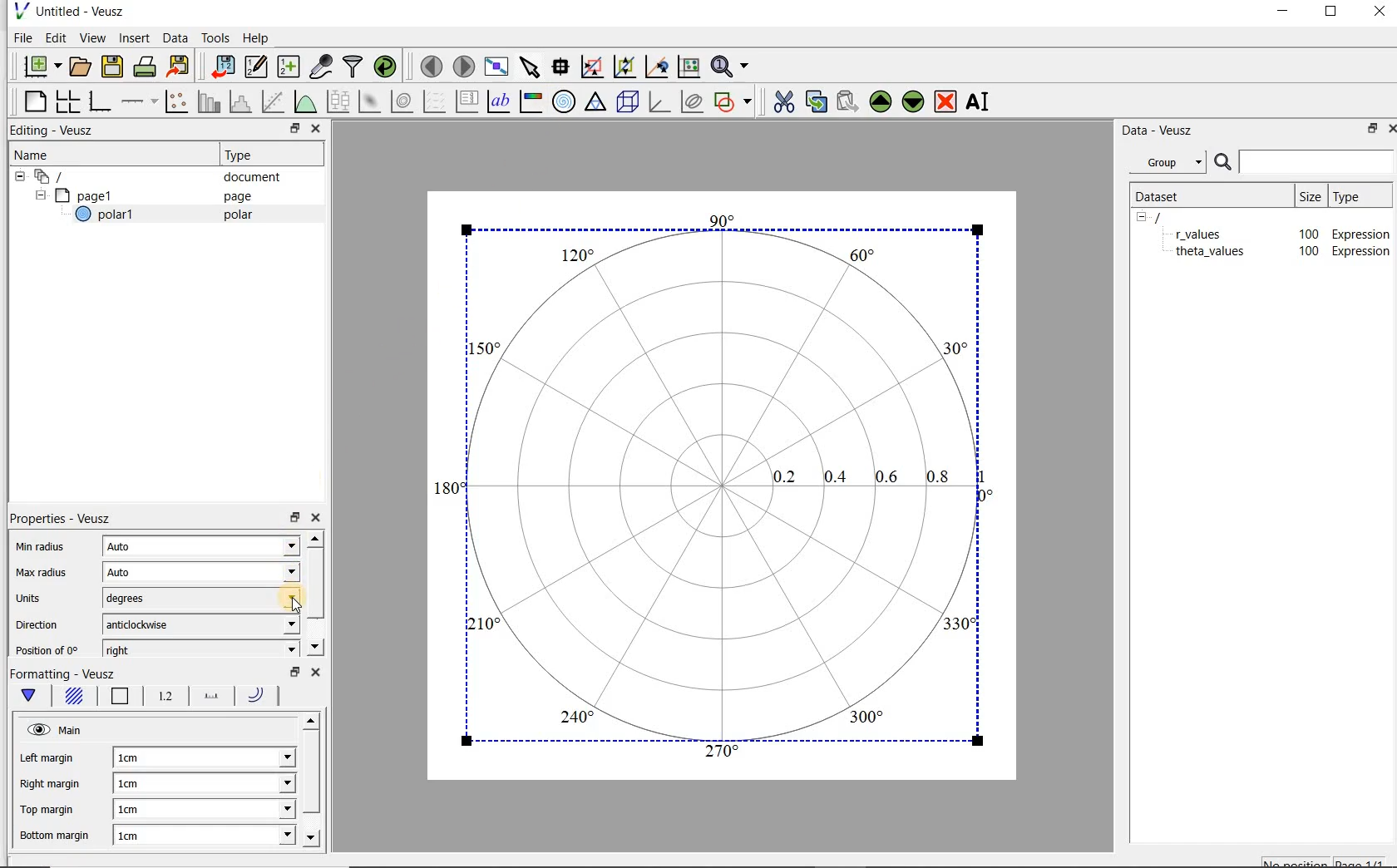  Describe the element at coordinates (257, 756) in the screenshot. I see `Left margin dropdown` at that location.